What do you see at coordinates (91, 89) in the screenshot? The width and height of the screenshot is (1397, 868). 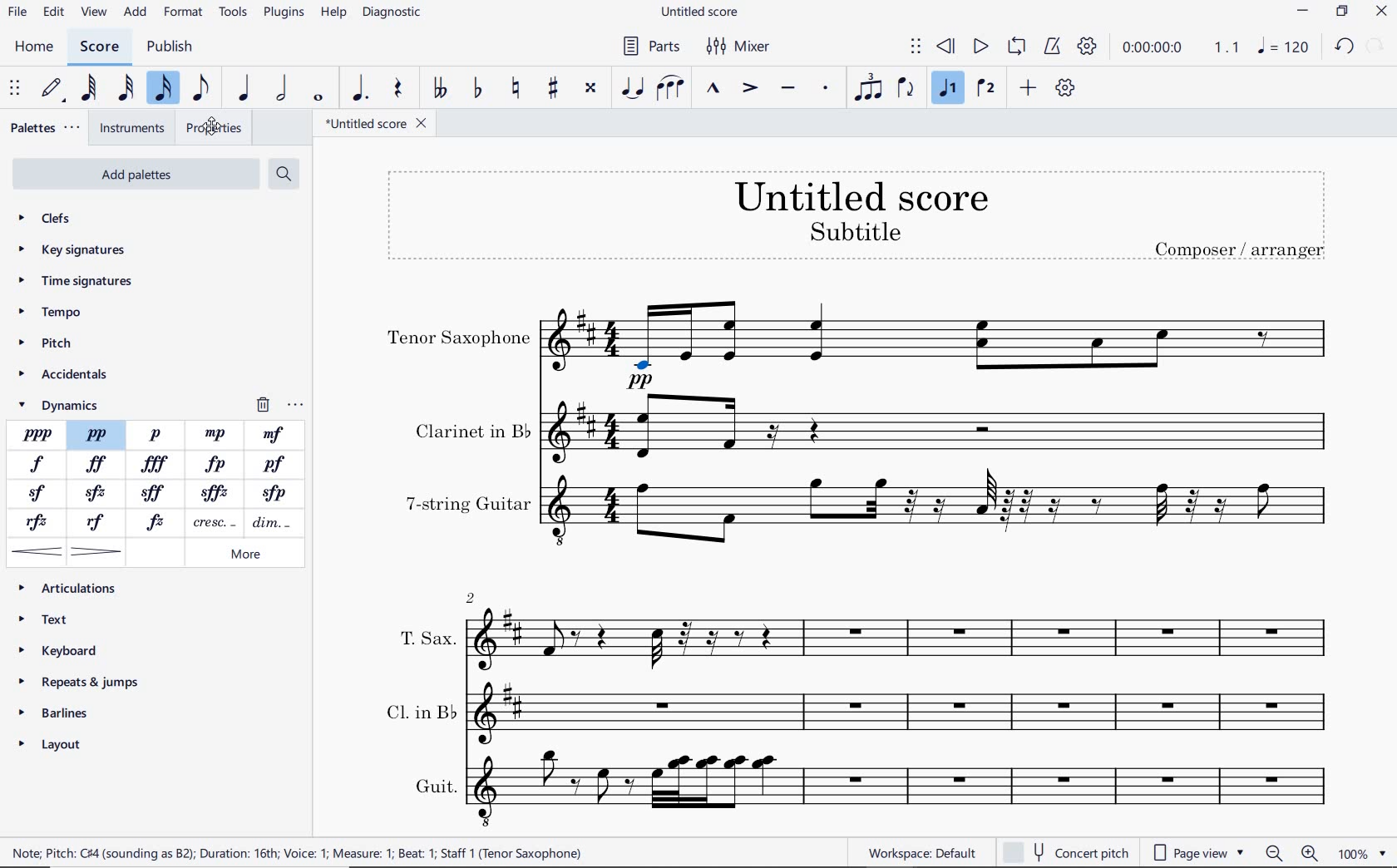 I see `64TH NOTE` at bounding box center [91, 89].